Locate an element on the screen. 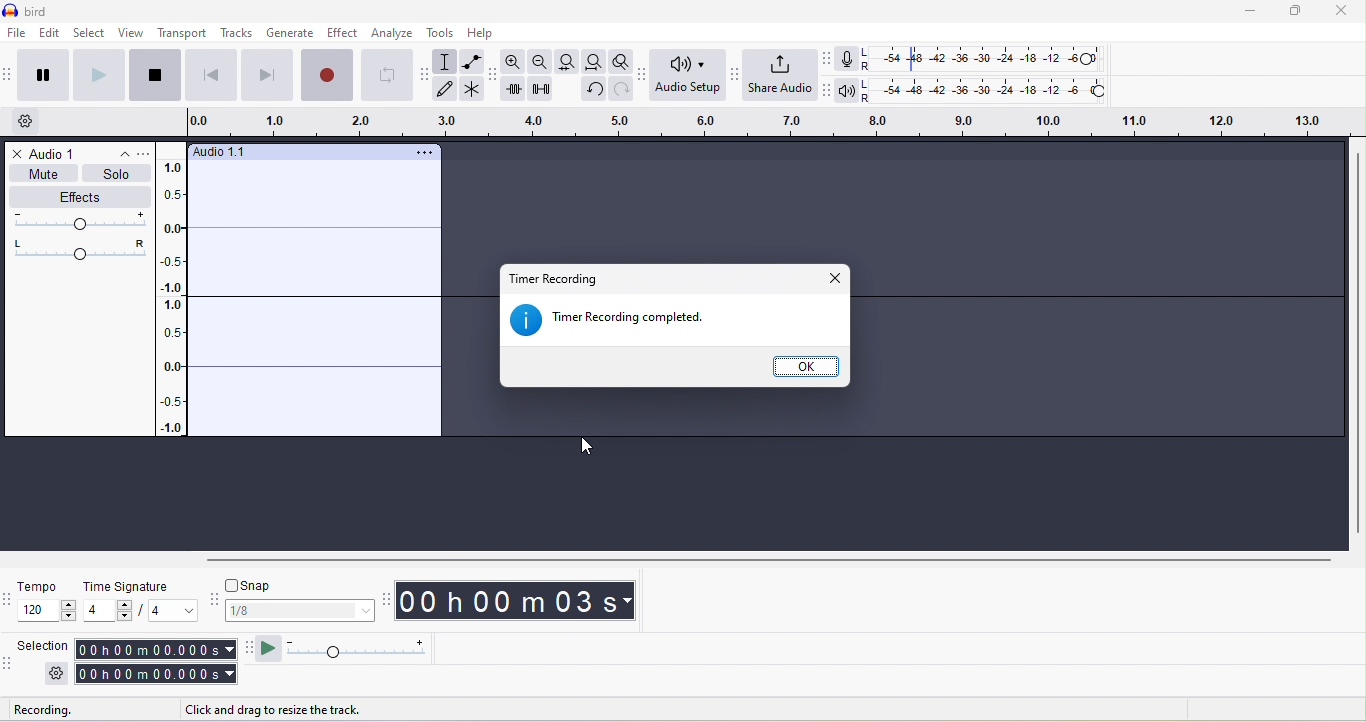  edit is located at coordinates (49, 35).